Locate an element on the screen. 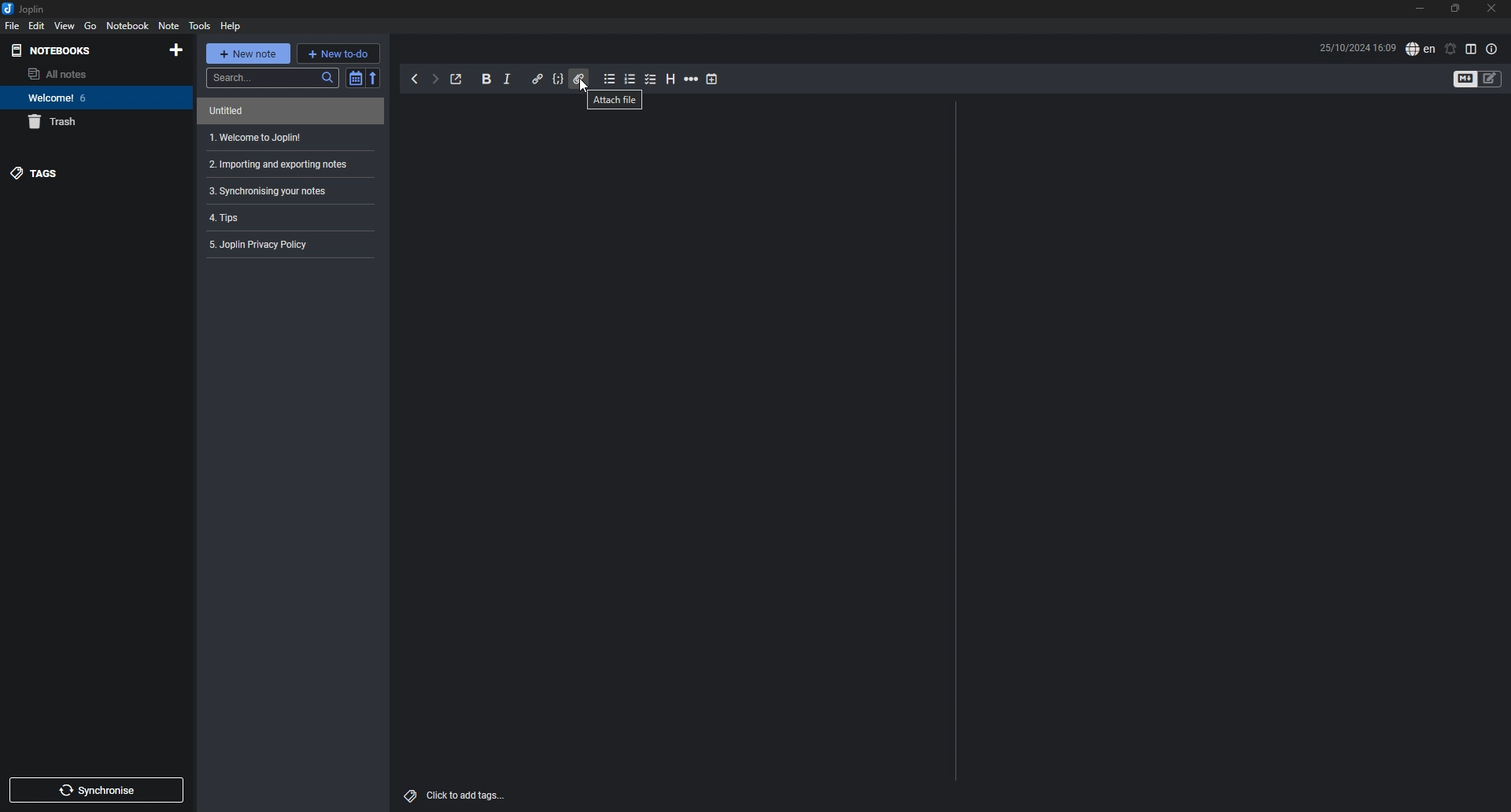 This screenshot has width=1511, height=812. view is located at coordinates (65, 25).